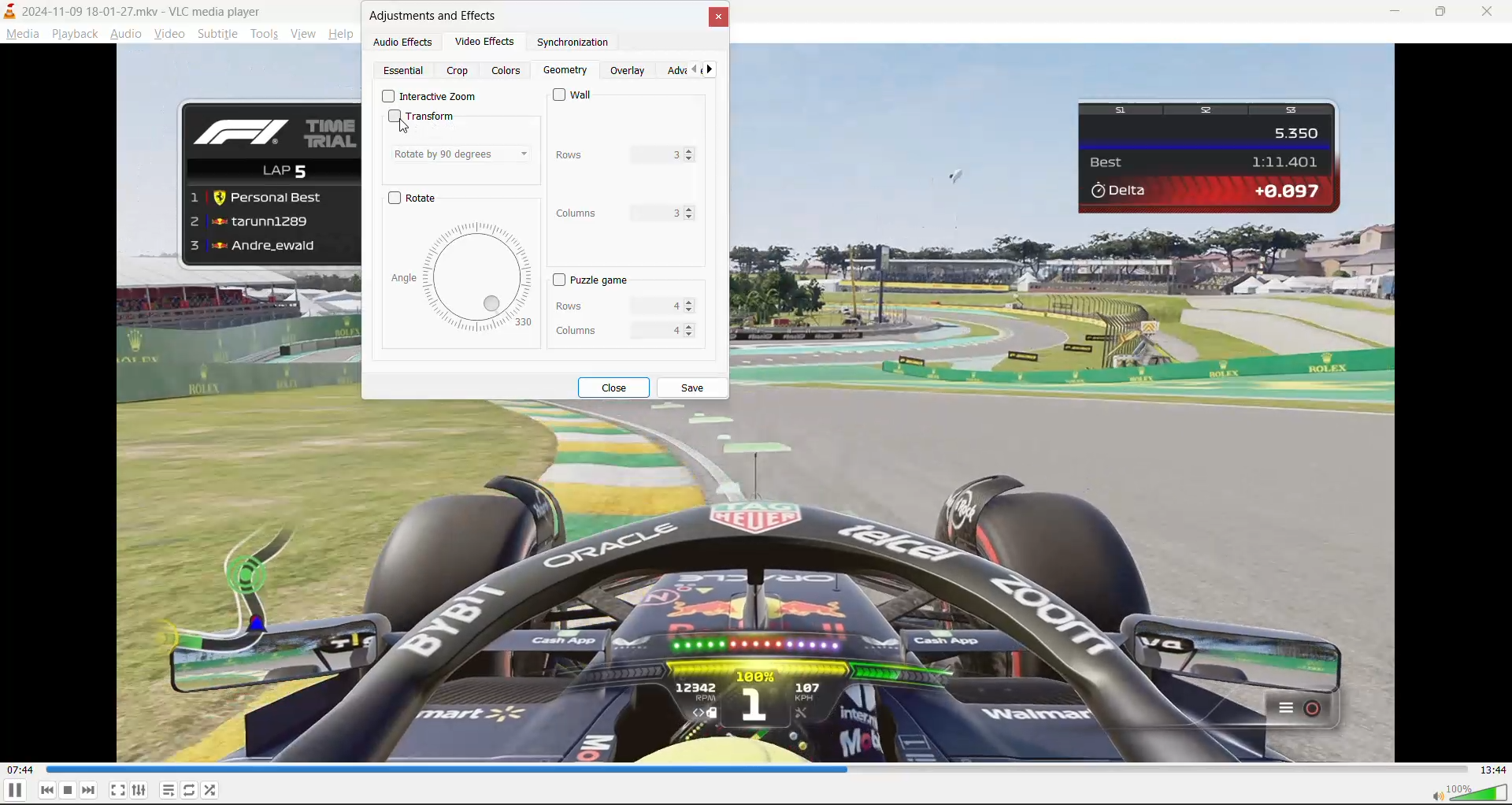 Image resolution: width=1512 pixels, height=805 pixels. I want to click on previous, so click(693, 69).